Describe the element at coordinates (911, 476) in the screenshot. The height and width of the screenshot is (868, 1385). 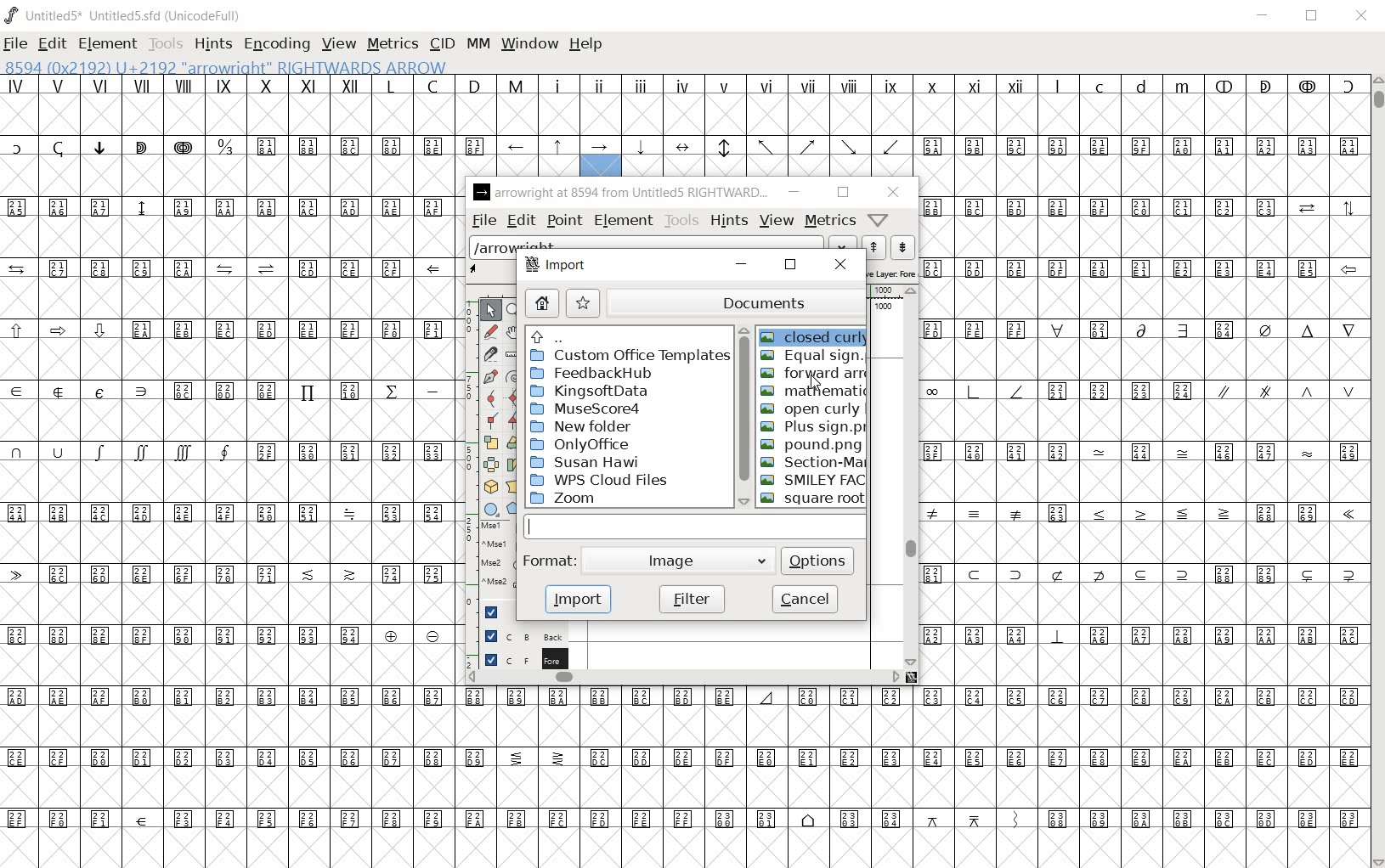
I see `scrollbar` at that location.